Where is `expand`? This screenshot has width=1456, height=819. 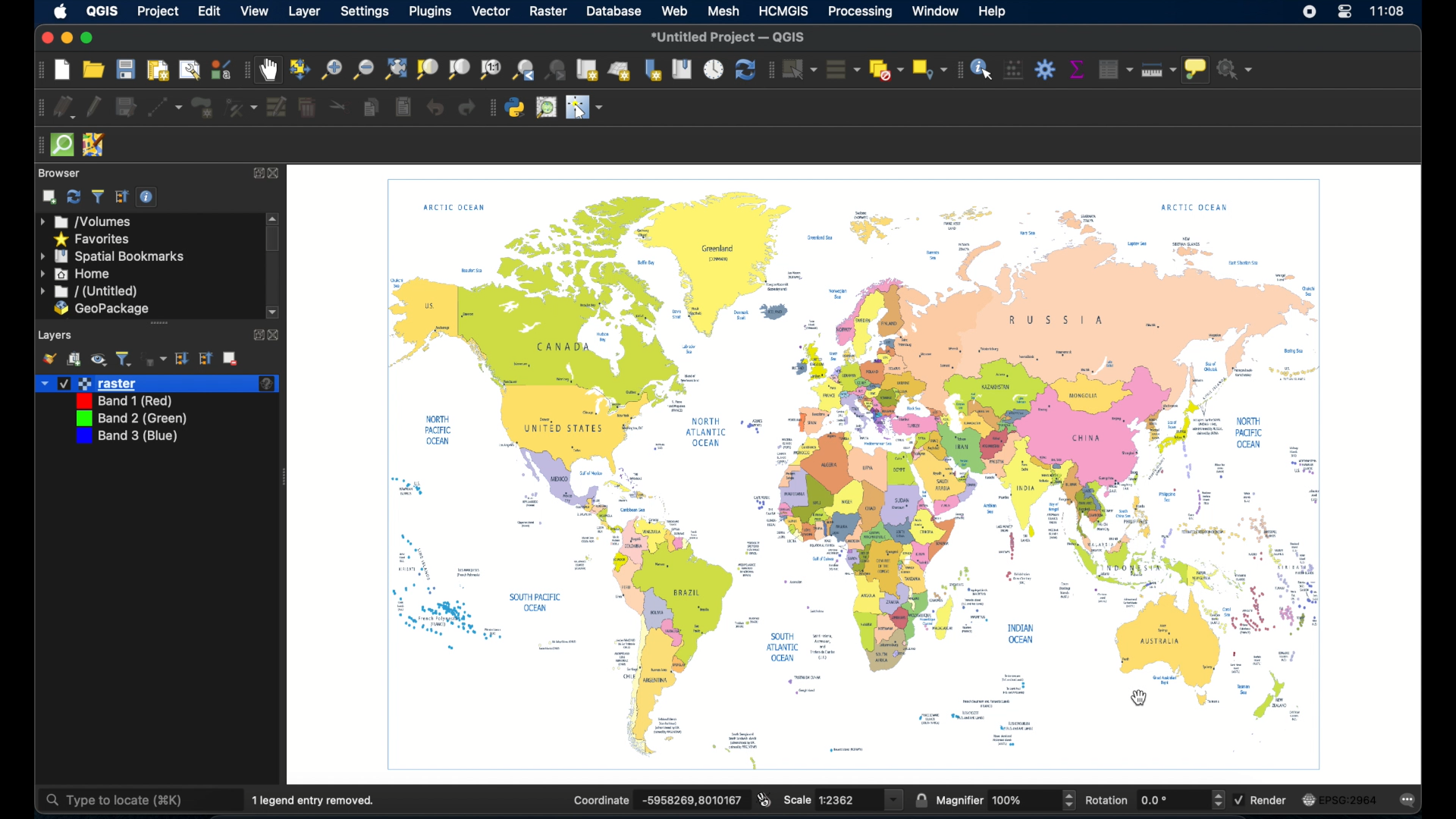
expand is located at coordinates (258, 173).